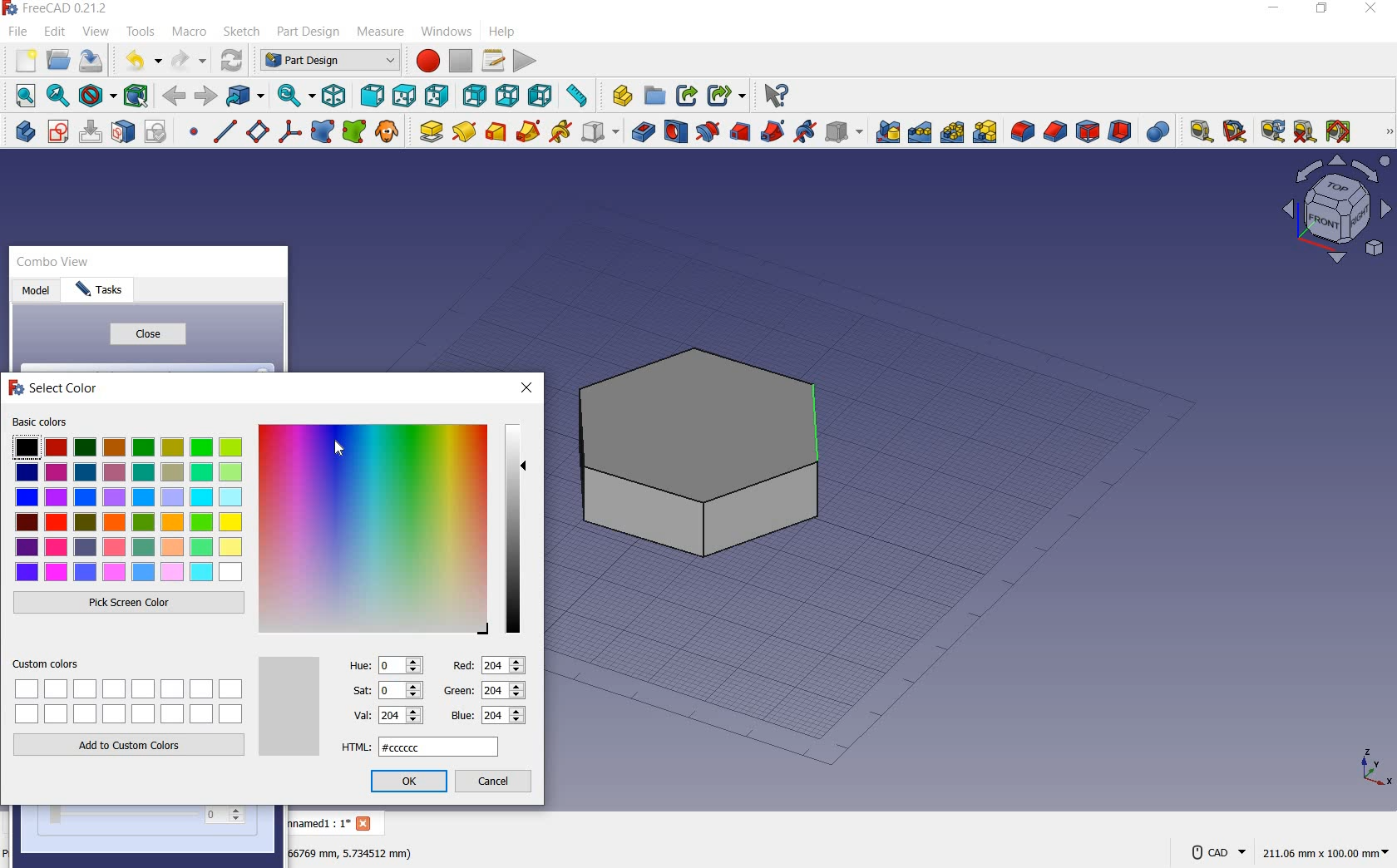  I want to click on windows, so click(447, 34).